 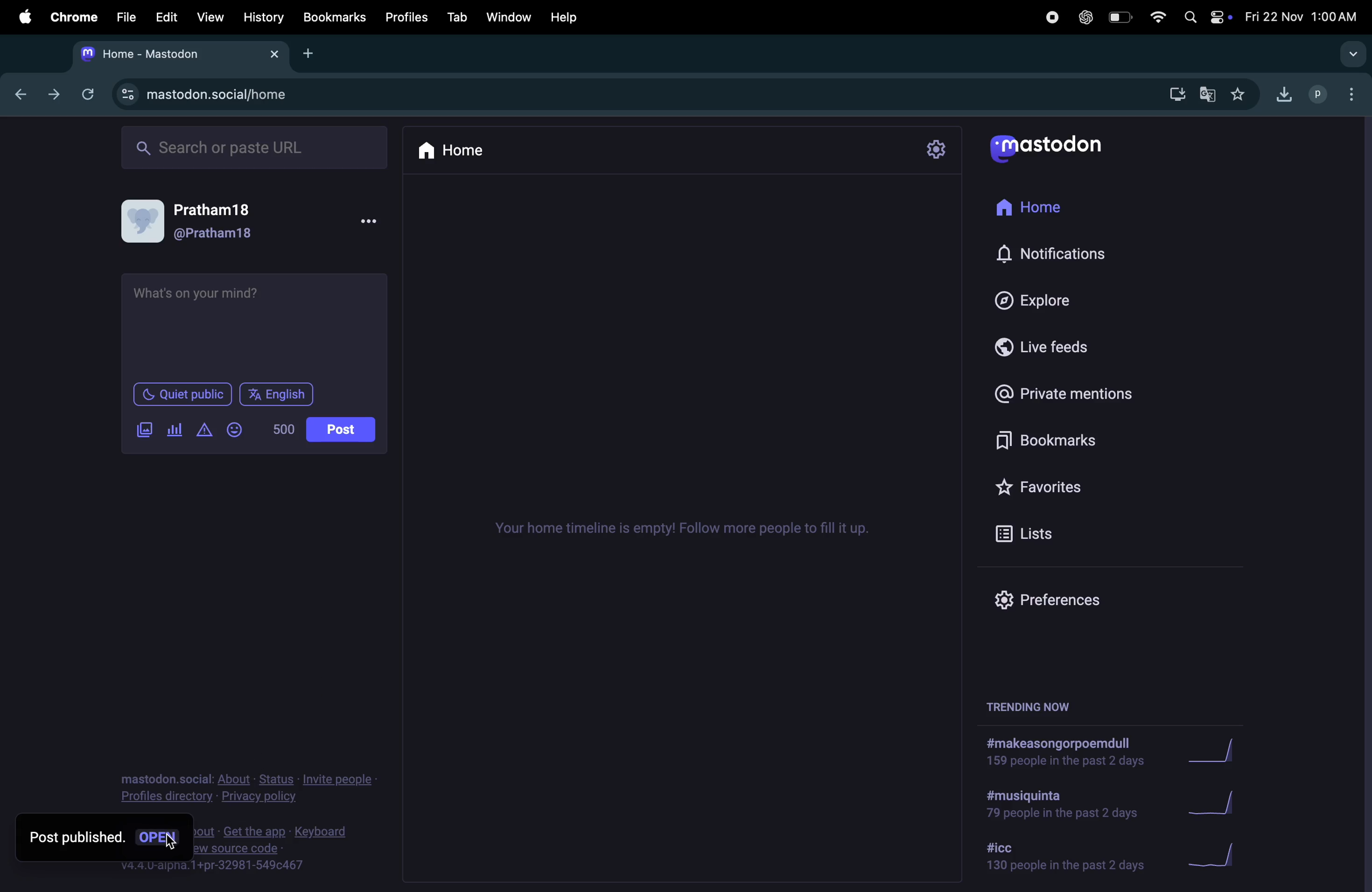 What do you see at coordinates (1217, 752) in the screenshot?
I see `graphs` at bounding box center [1217, 752].